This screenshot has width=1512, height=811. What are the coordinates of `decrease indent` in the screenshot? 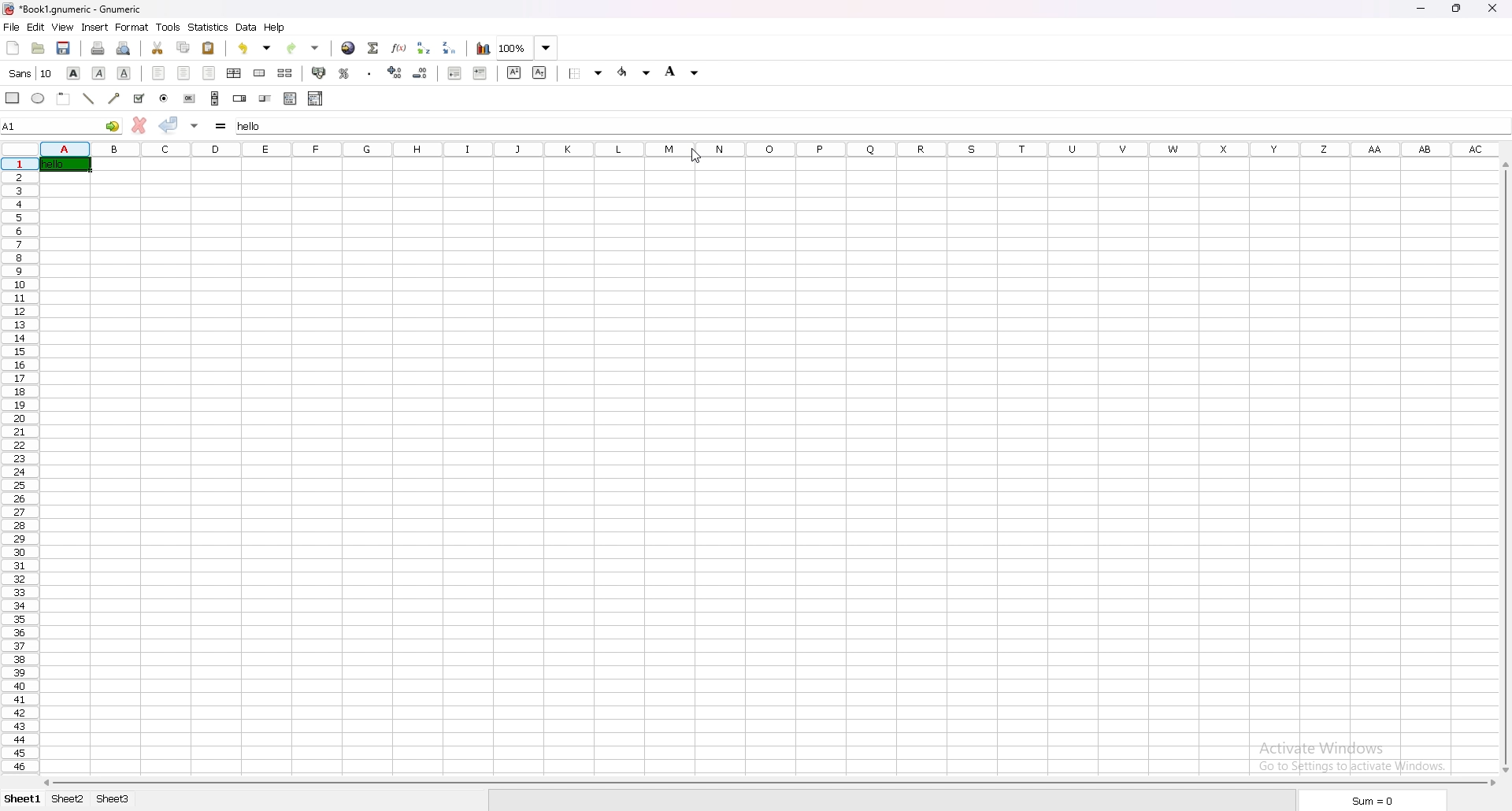 It's located at (454, 72).